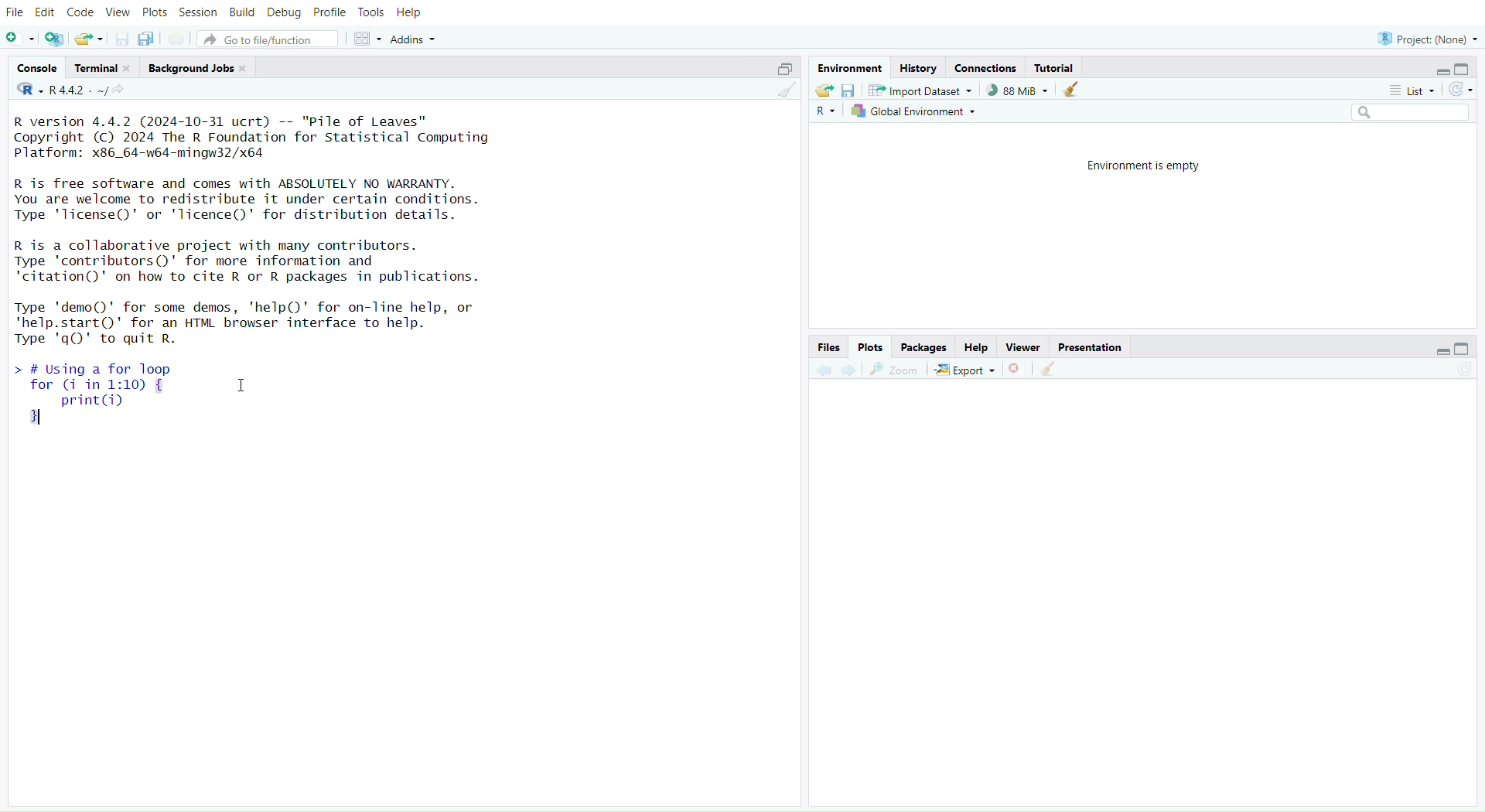  What do you see at coordinates (156, 12) in the screenshot?
I see `plots` at bounding box center [156, 12].